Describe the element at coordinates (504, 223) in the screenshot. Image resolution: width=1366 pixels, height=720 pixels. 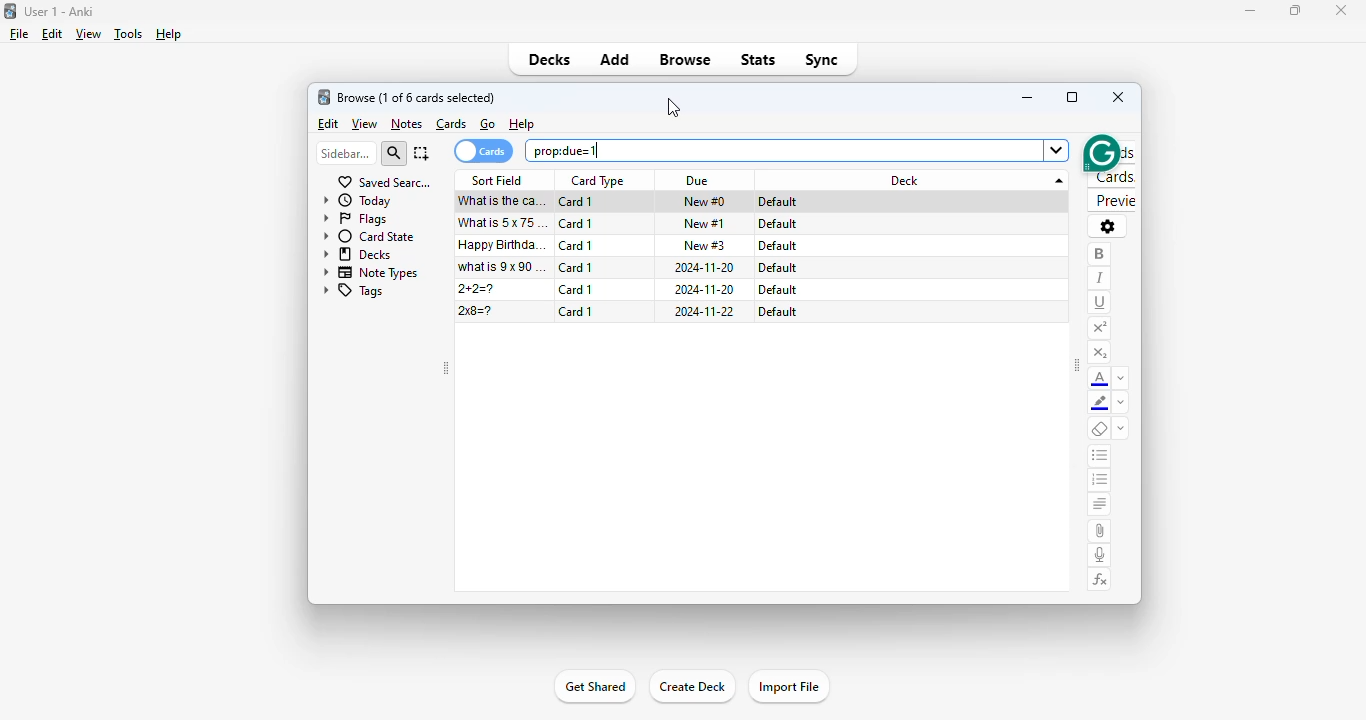
I see `what is 5x75=?` at that location.